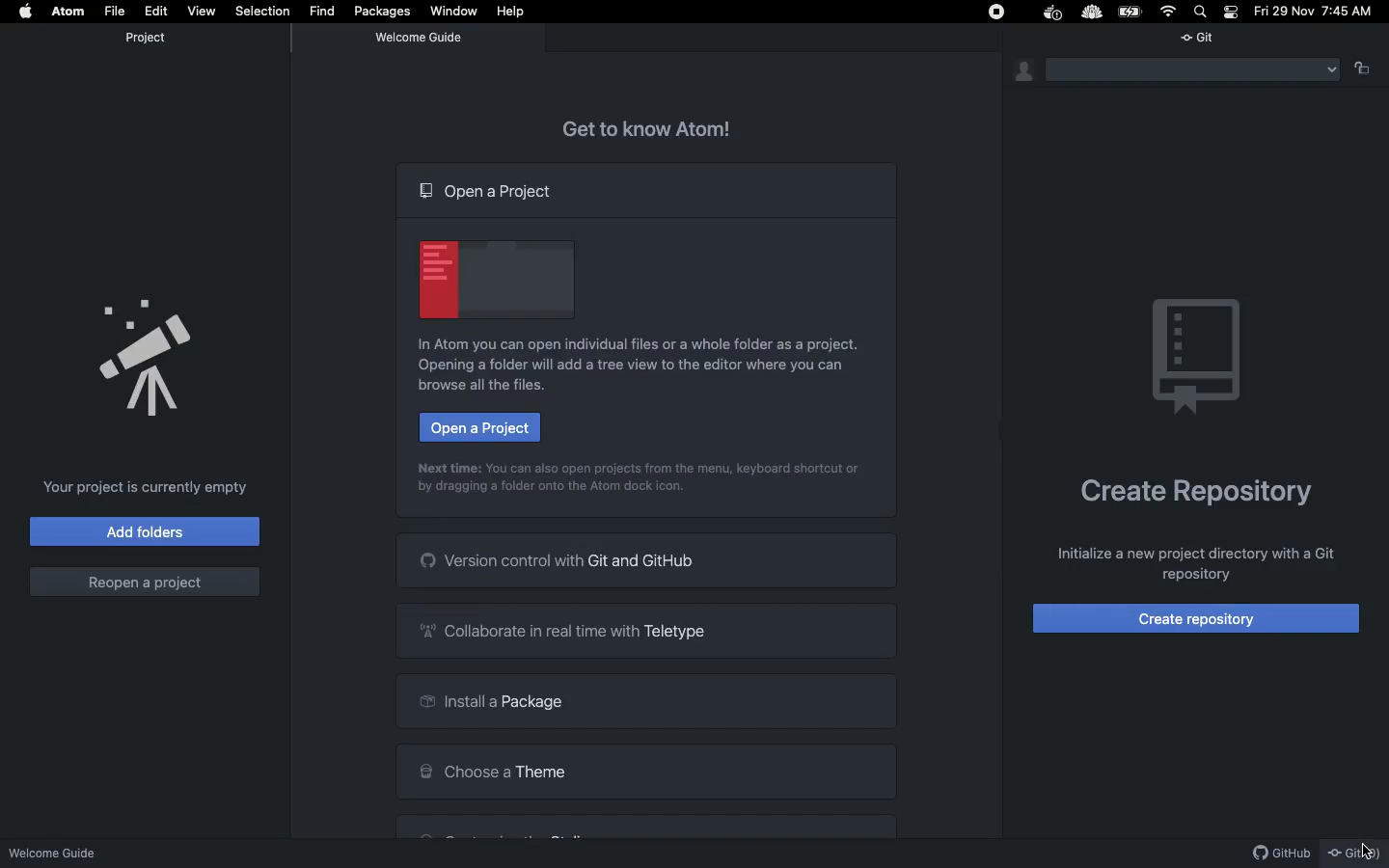 The height and width of the screenshot is (868, 1389). Describe the element at coordinates (145, 581) in the screenshot. I see `Reopen a project` at that location.